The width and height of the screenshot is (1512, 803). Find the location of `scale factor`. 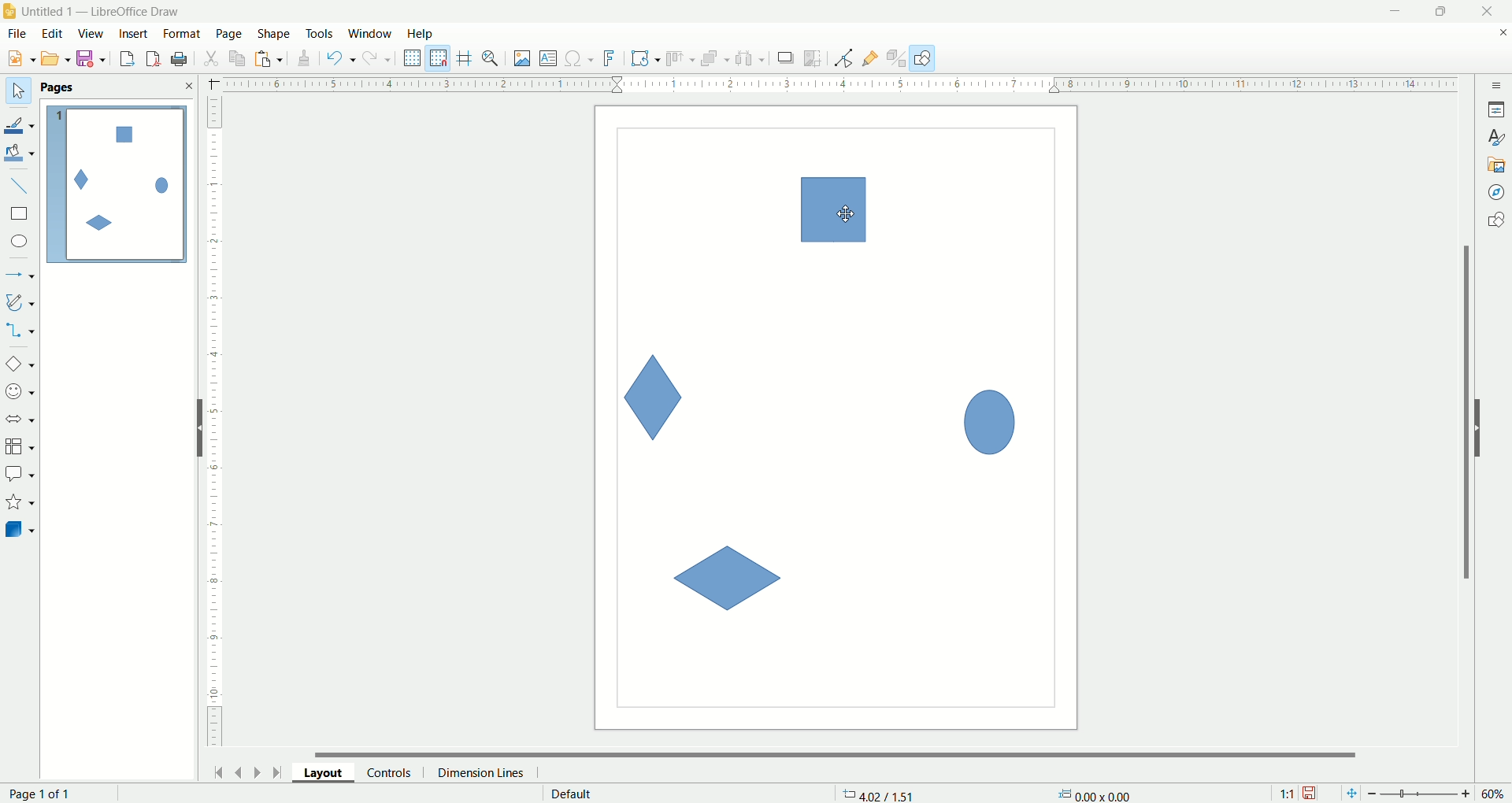

scale factor is located at coordinates (1287, 794).